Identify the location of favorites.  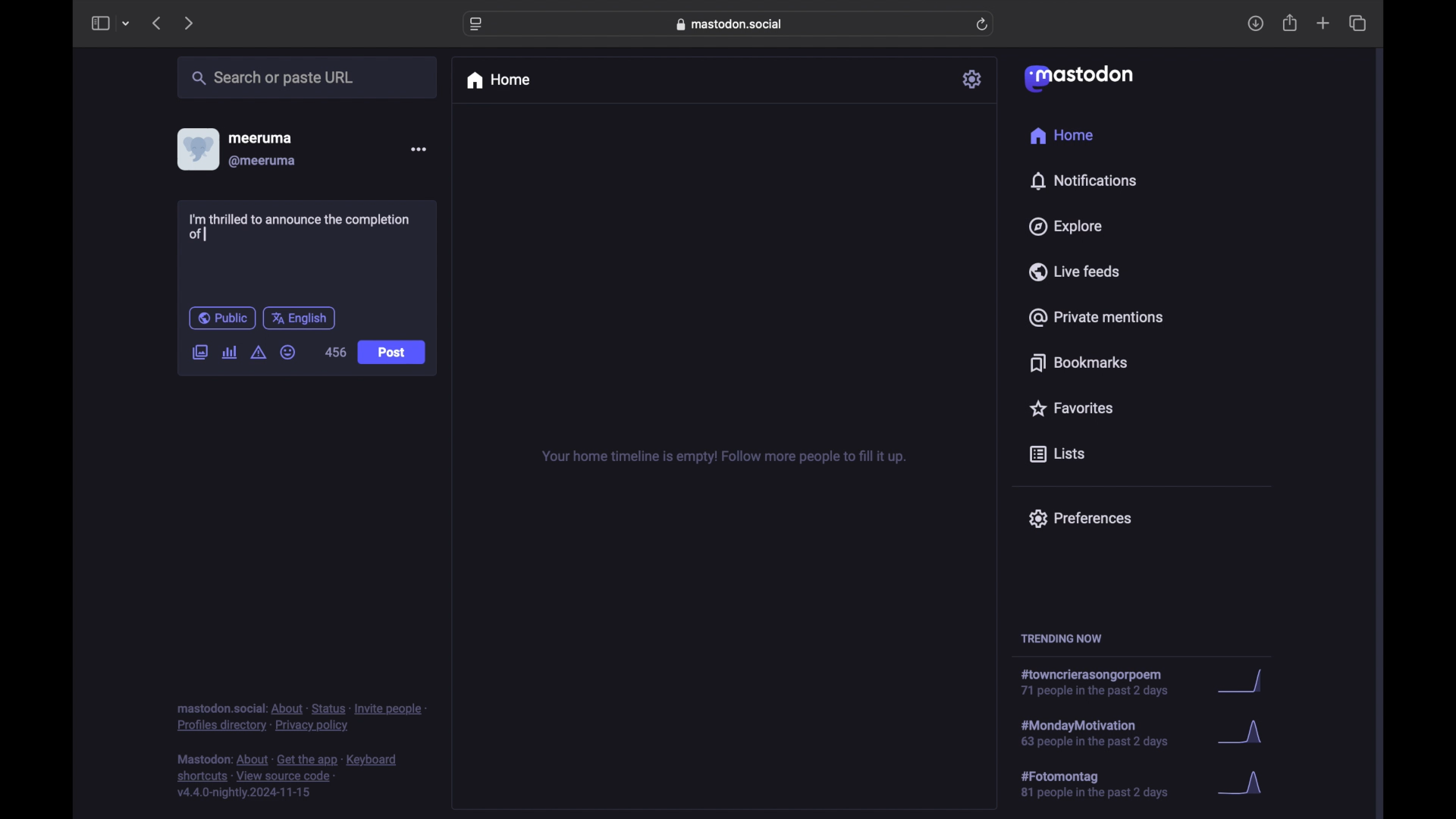
(1071, 408).